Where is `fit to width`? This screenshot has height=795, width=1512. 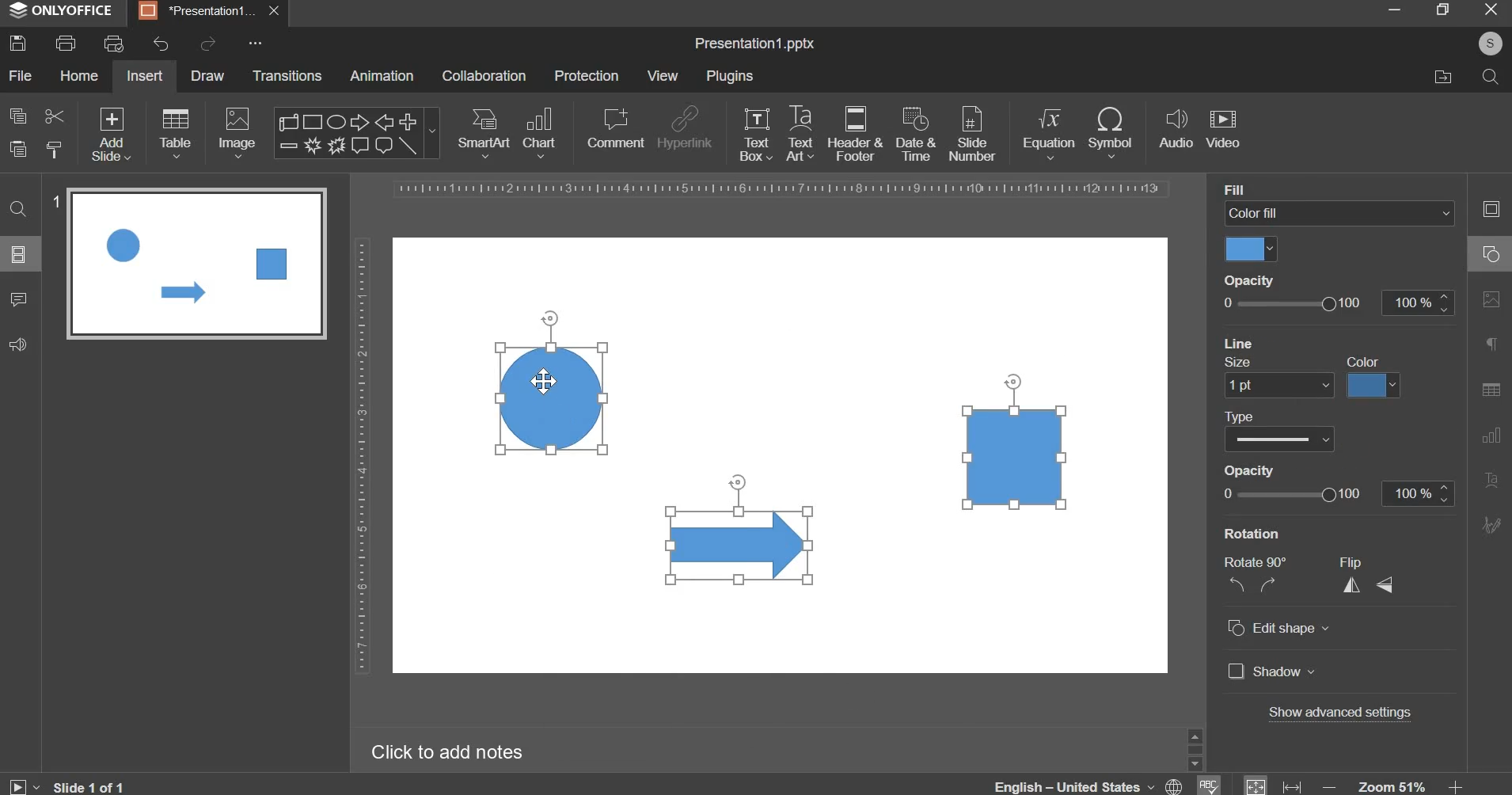 fit to width is located at coordinates (1294, 786).